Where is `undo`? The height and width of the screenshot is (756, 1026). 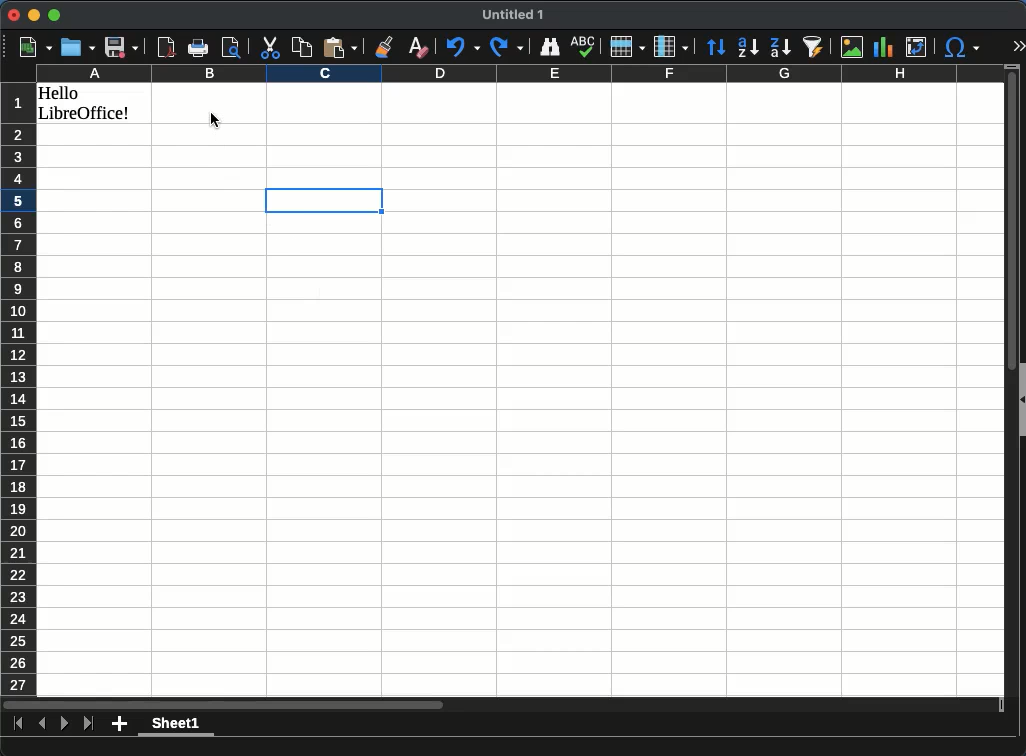 undo is located at coordinates (460, 44).